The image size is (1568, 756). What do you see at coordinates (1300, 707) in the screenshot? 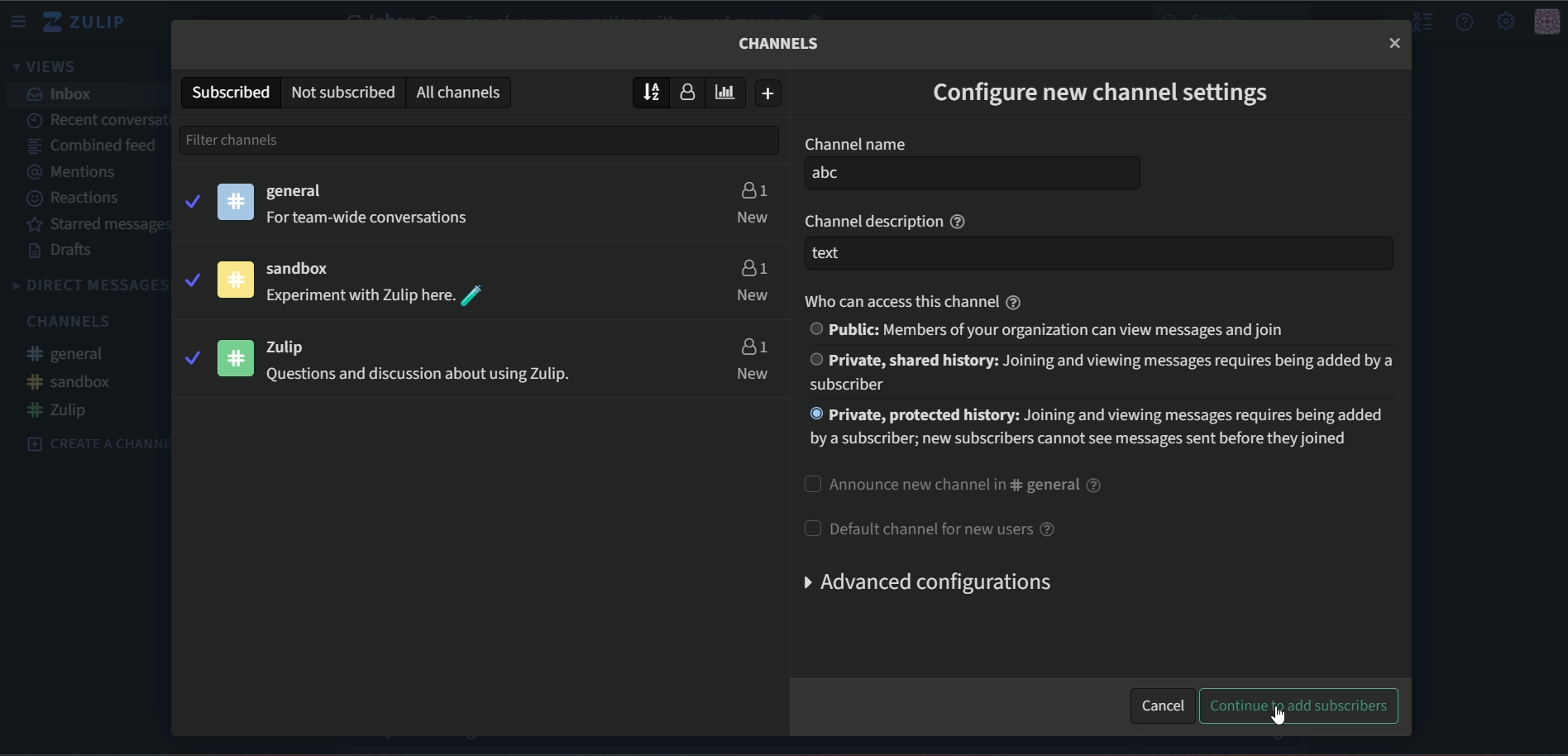
I see `continue to add subscription` at bounding box center [1300, 707].